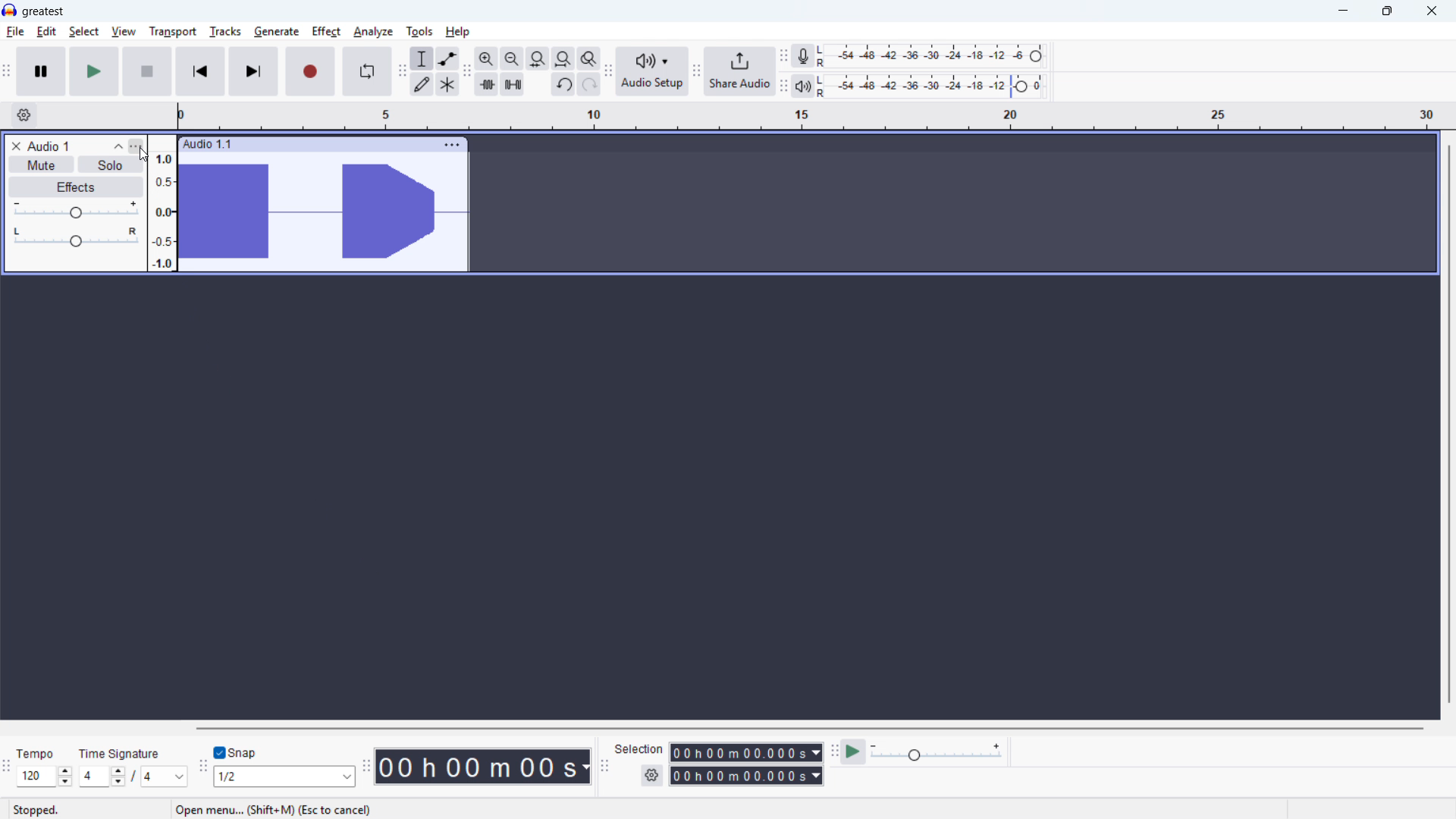  I want to click on trim audio outside selection, so click(486, 85).